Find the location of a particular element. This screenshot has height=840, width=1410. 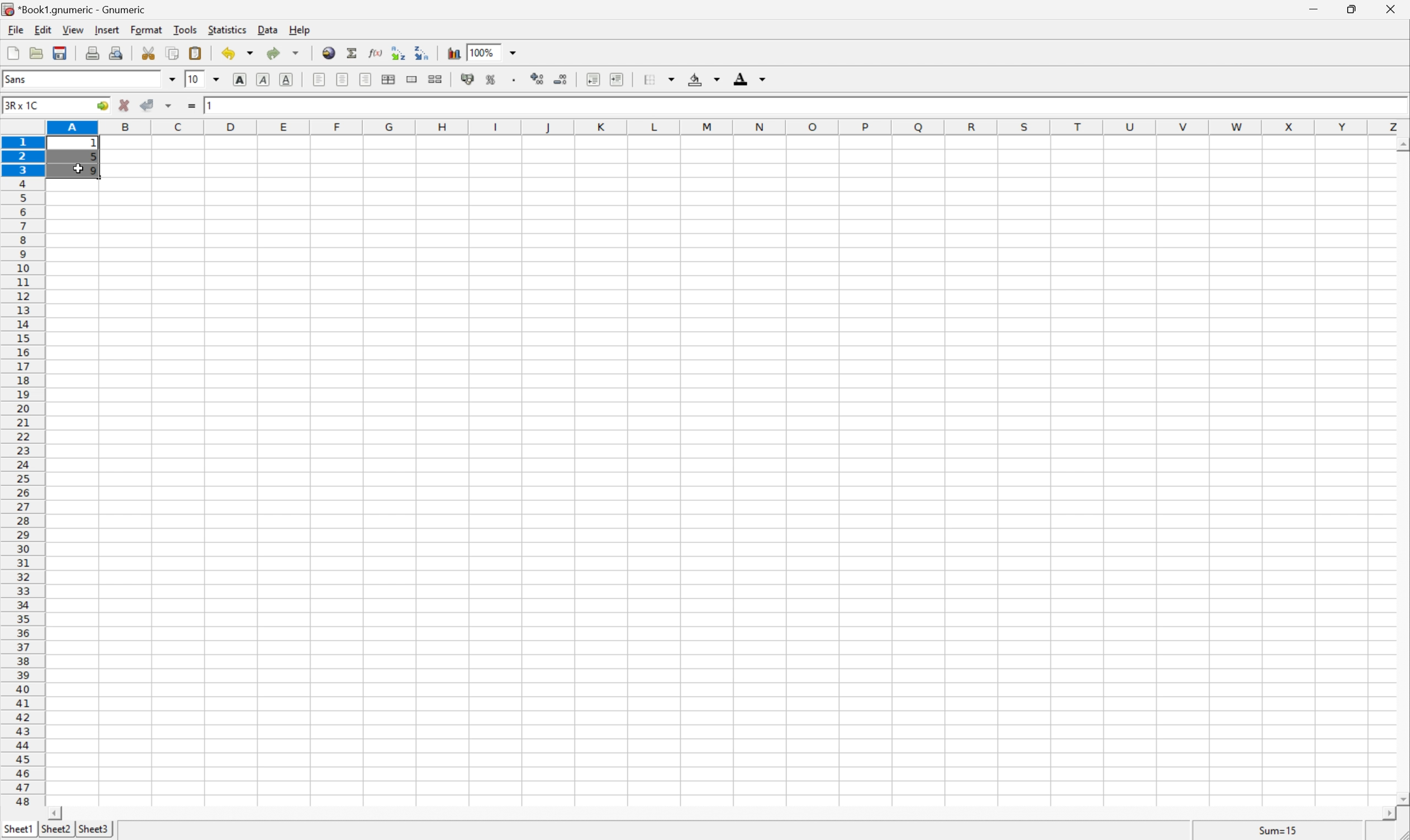

help is located at coordinates (301, 29).